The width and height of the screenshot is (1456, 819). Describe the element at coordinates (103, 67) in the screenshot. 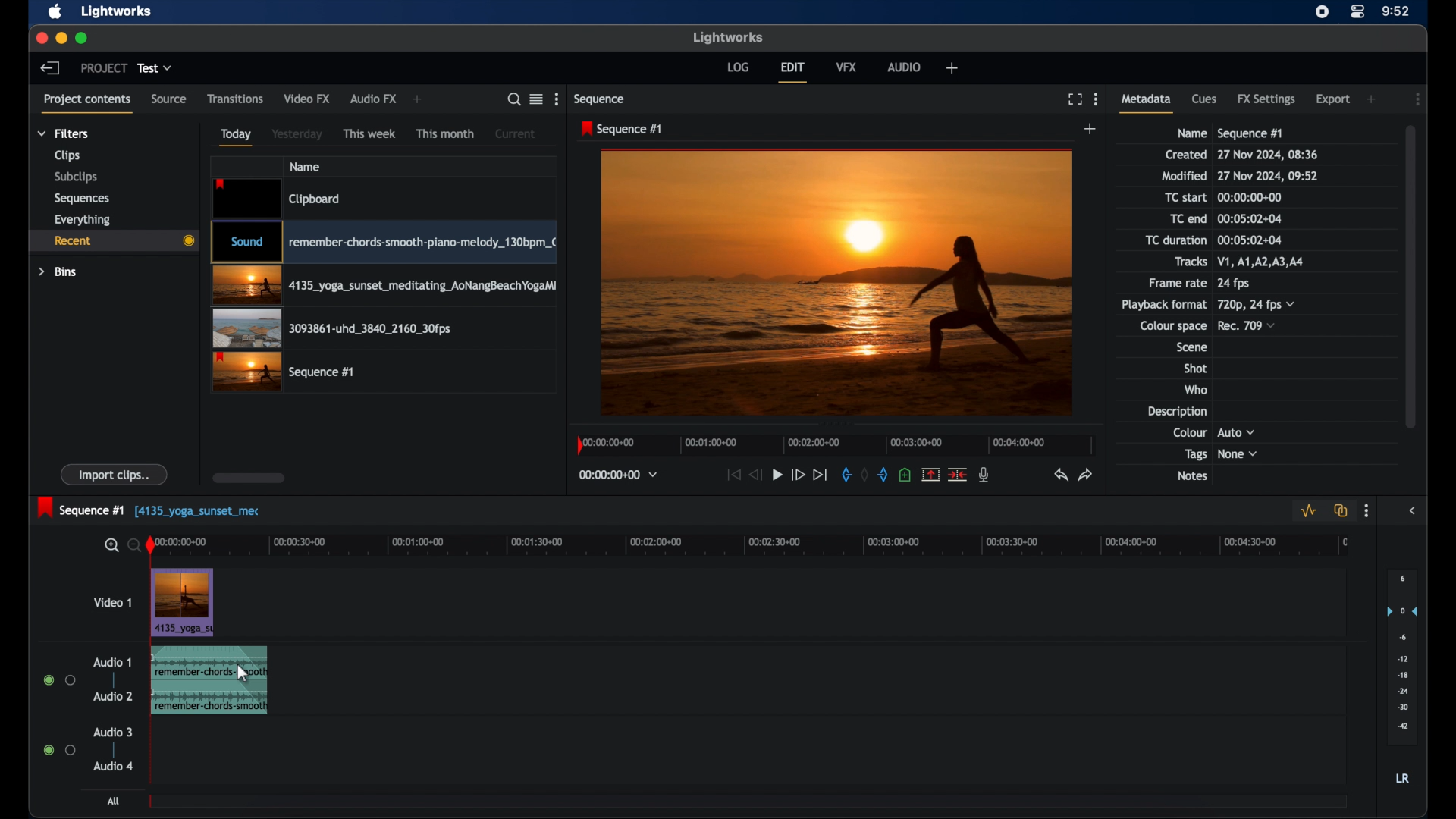

I see `project` at that location.